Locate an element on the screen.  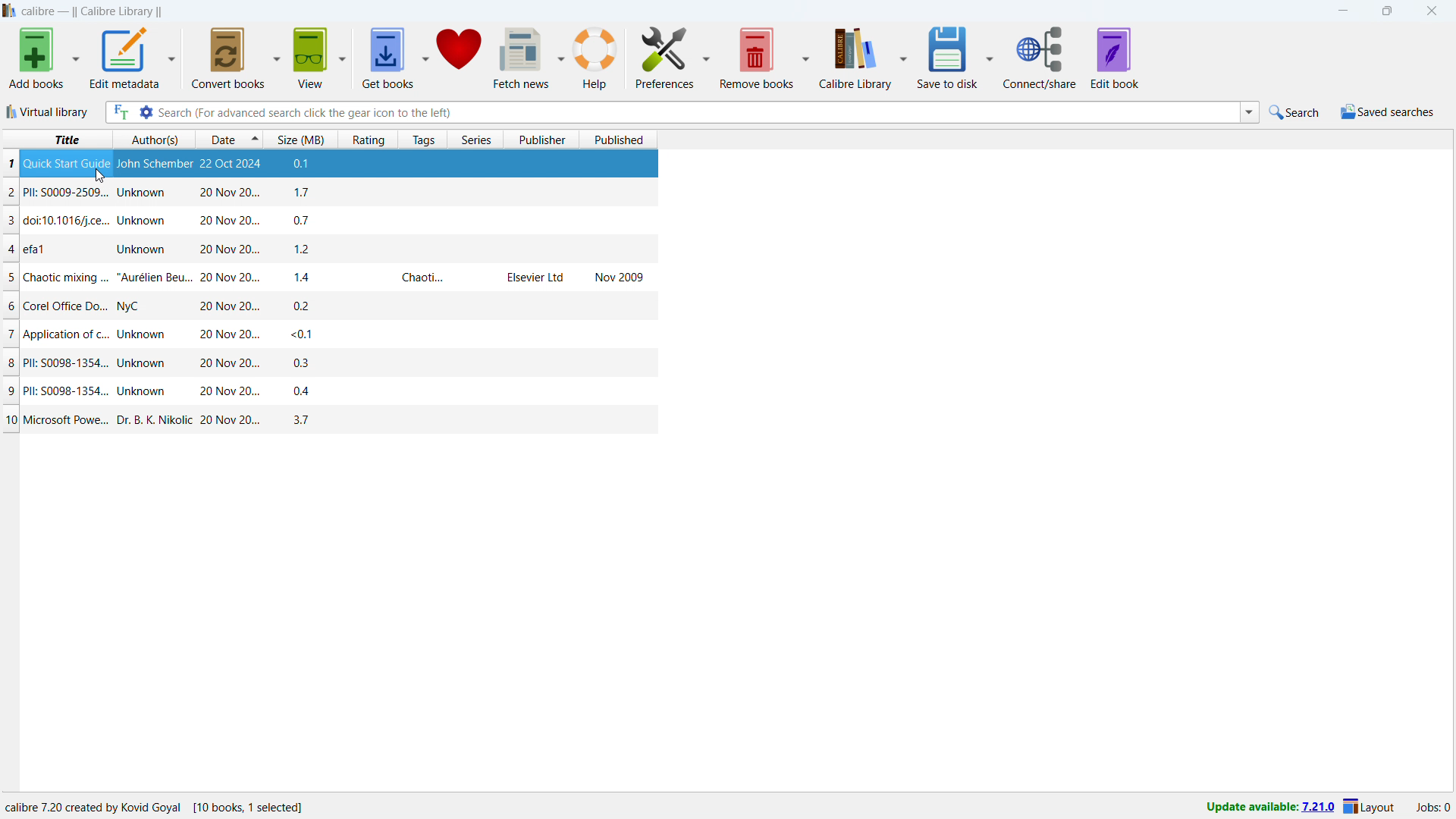
search history is located at coordinates (1248, 113).